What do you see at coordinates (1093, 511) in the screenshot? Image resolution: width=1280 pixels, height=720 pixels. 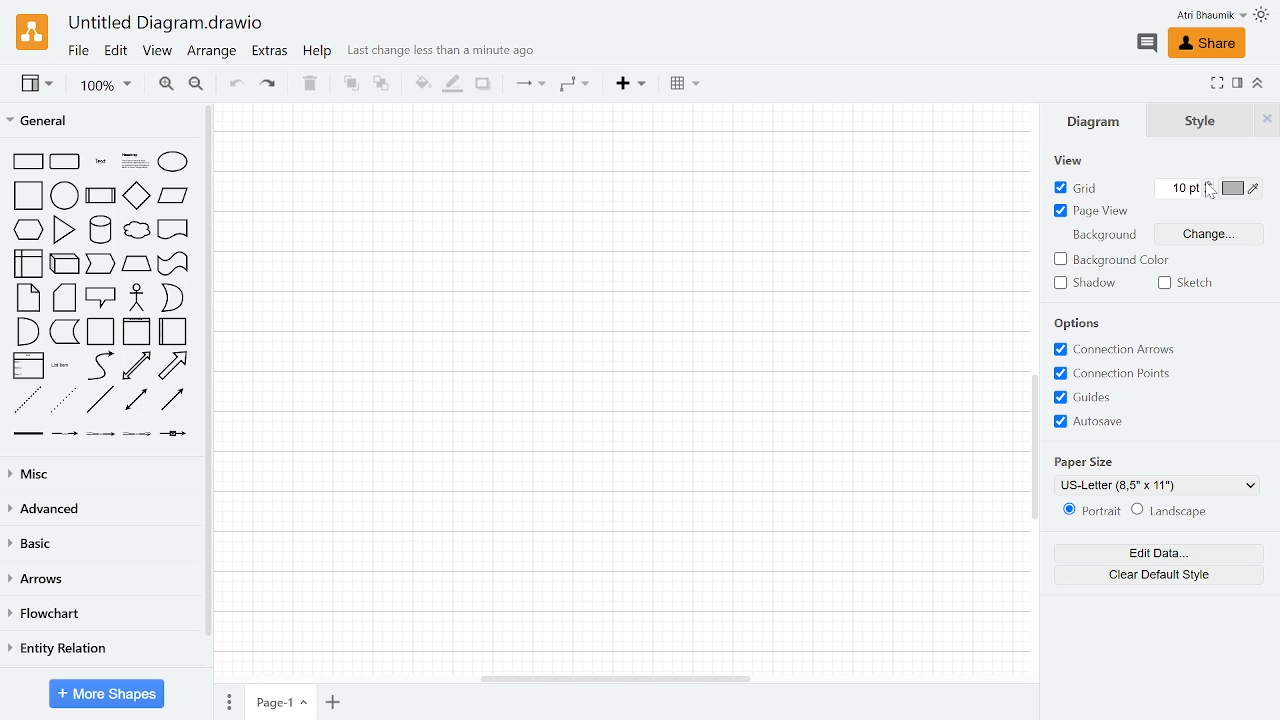 I see `Potrait` at bounding box center [1093, 511].